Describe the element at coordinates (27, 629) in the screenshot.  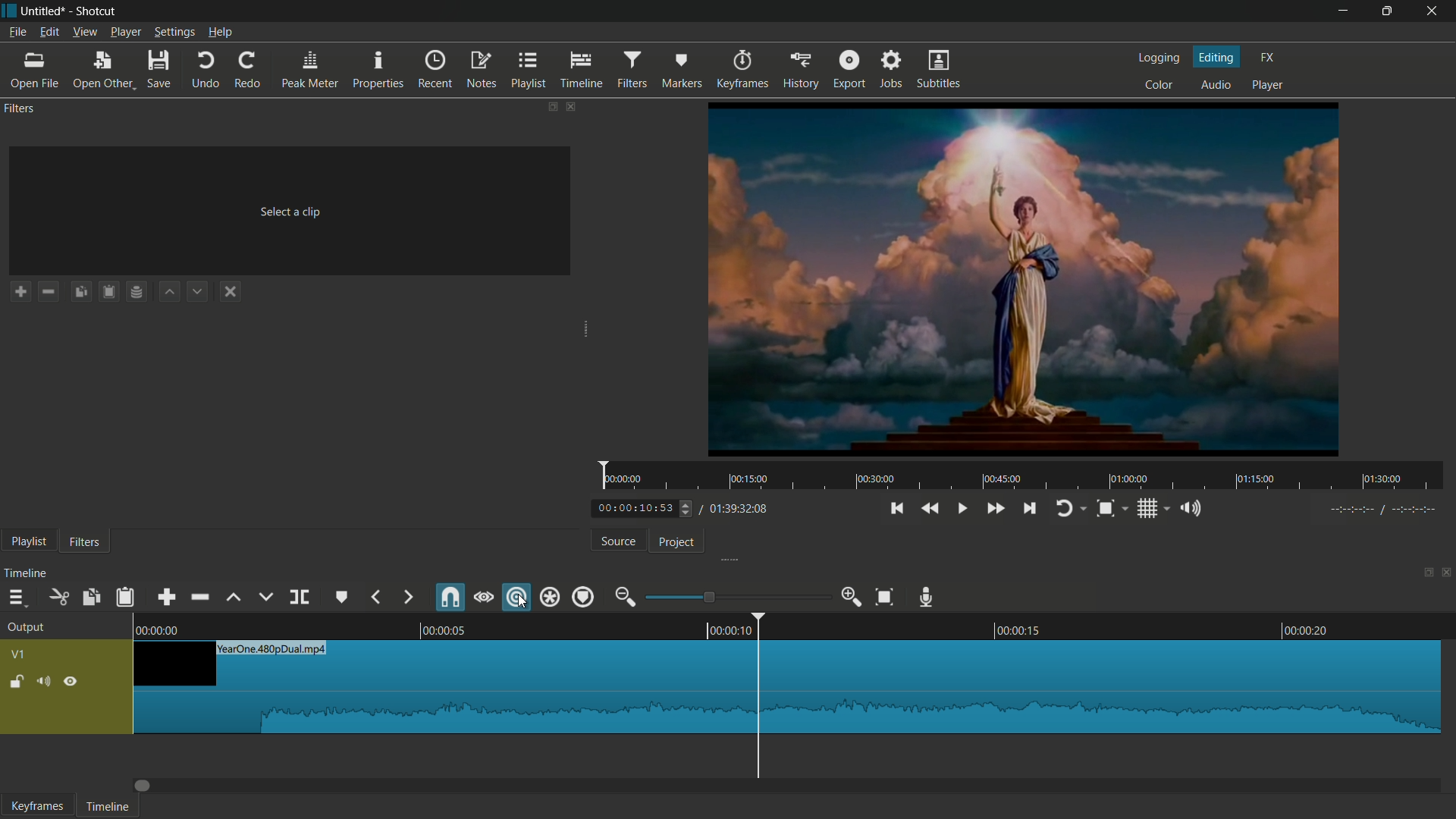
I see `output` at that location.